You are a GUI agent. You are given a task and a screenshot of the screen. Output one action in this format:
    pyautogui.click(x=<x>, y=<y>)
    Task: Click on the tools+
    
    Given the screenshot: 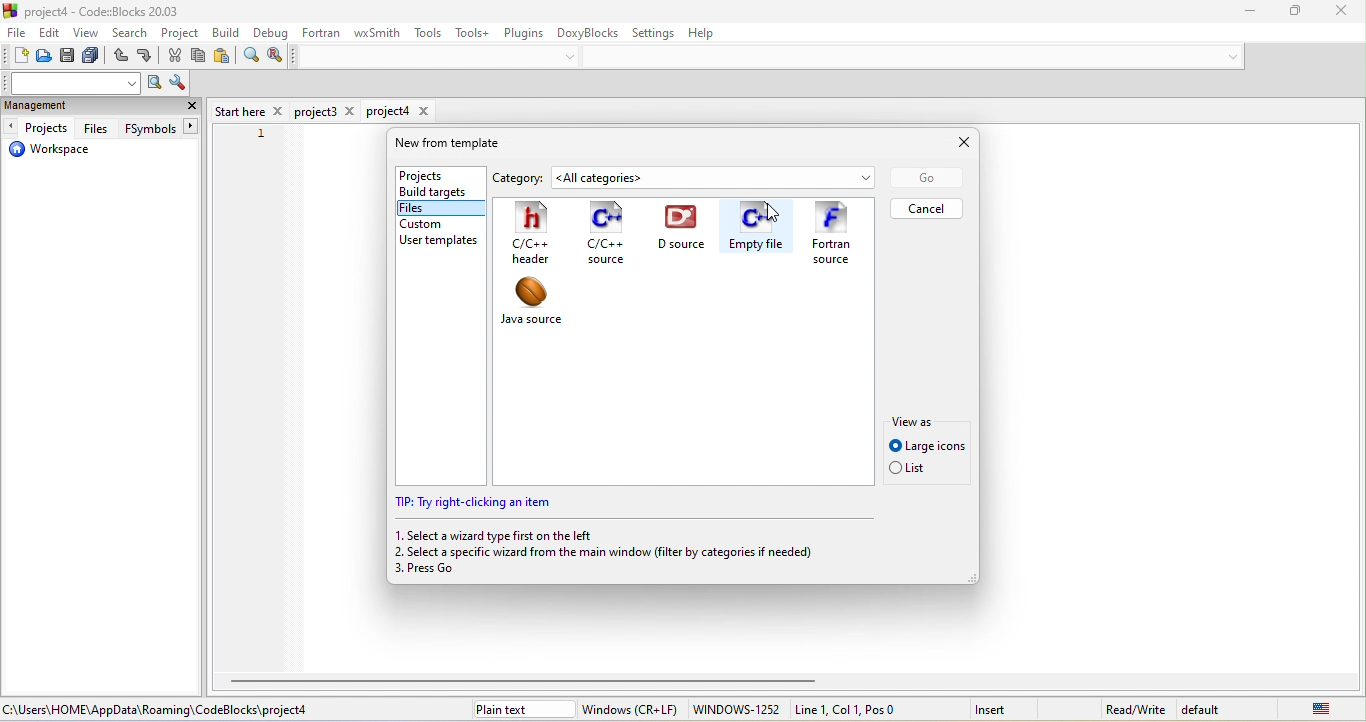 What is the action you would take?
    pyautogui.click(x=471, y=32)
    